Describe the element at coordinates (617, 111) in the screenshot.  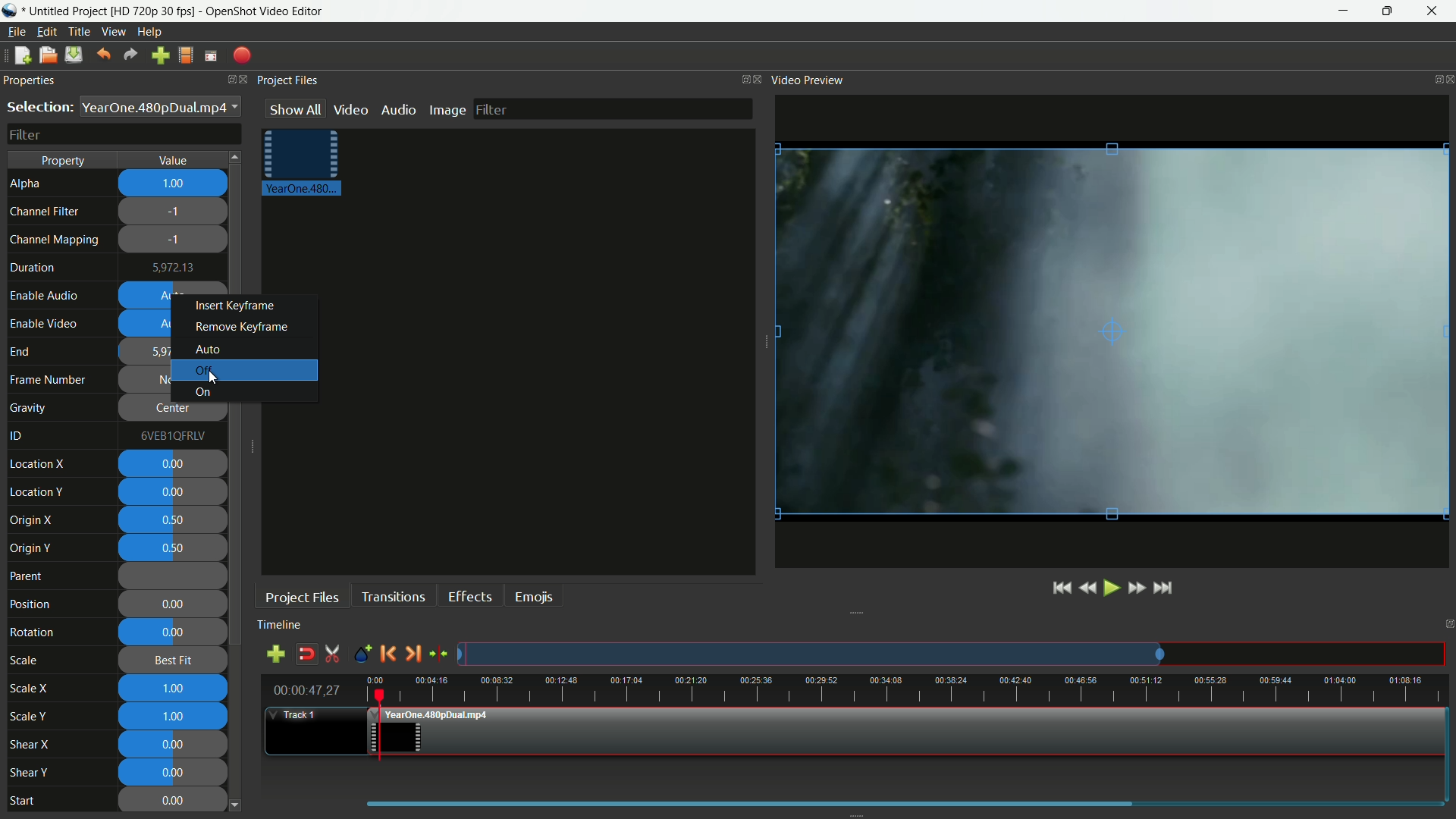
I see `filter bar` at that location.